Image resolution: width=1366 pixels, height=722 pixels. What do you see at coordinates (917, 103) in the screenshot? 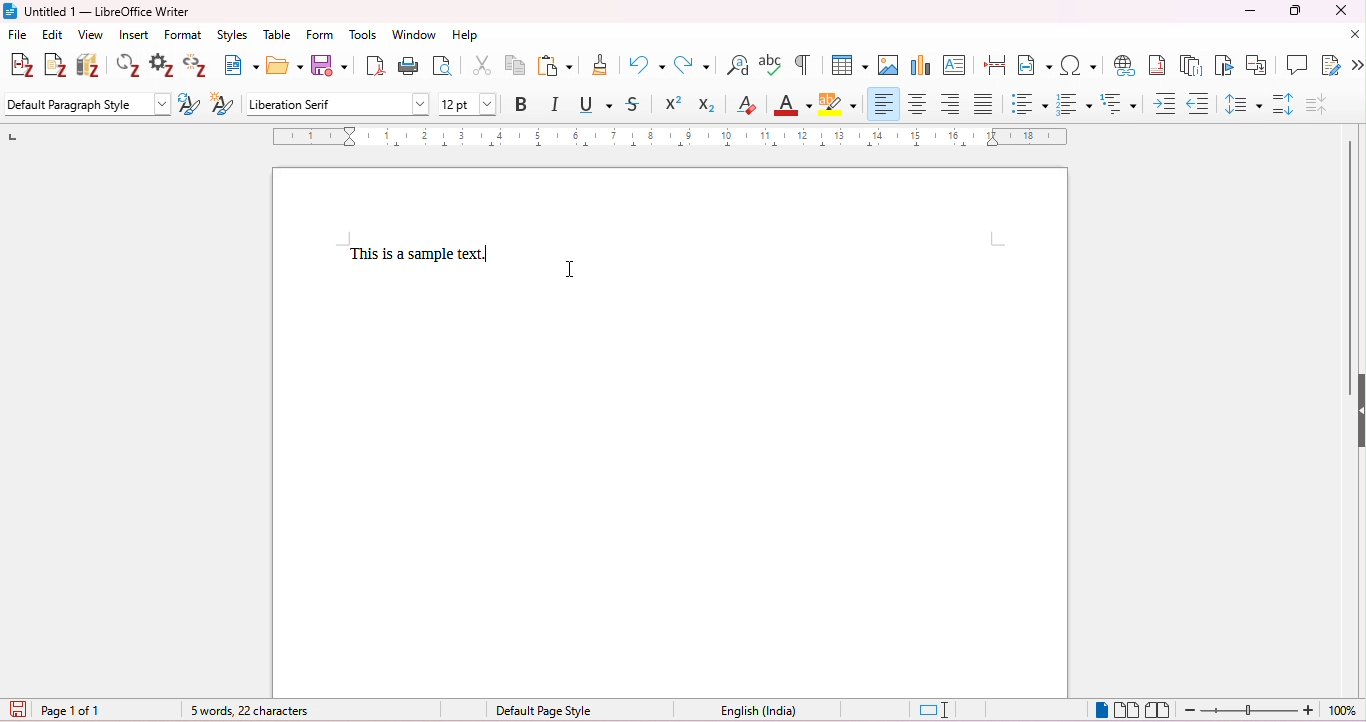
I see `align center` at bounding box center [917, 103].